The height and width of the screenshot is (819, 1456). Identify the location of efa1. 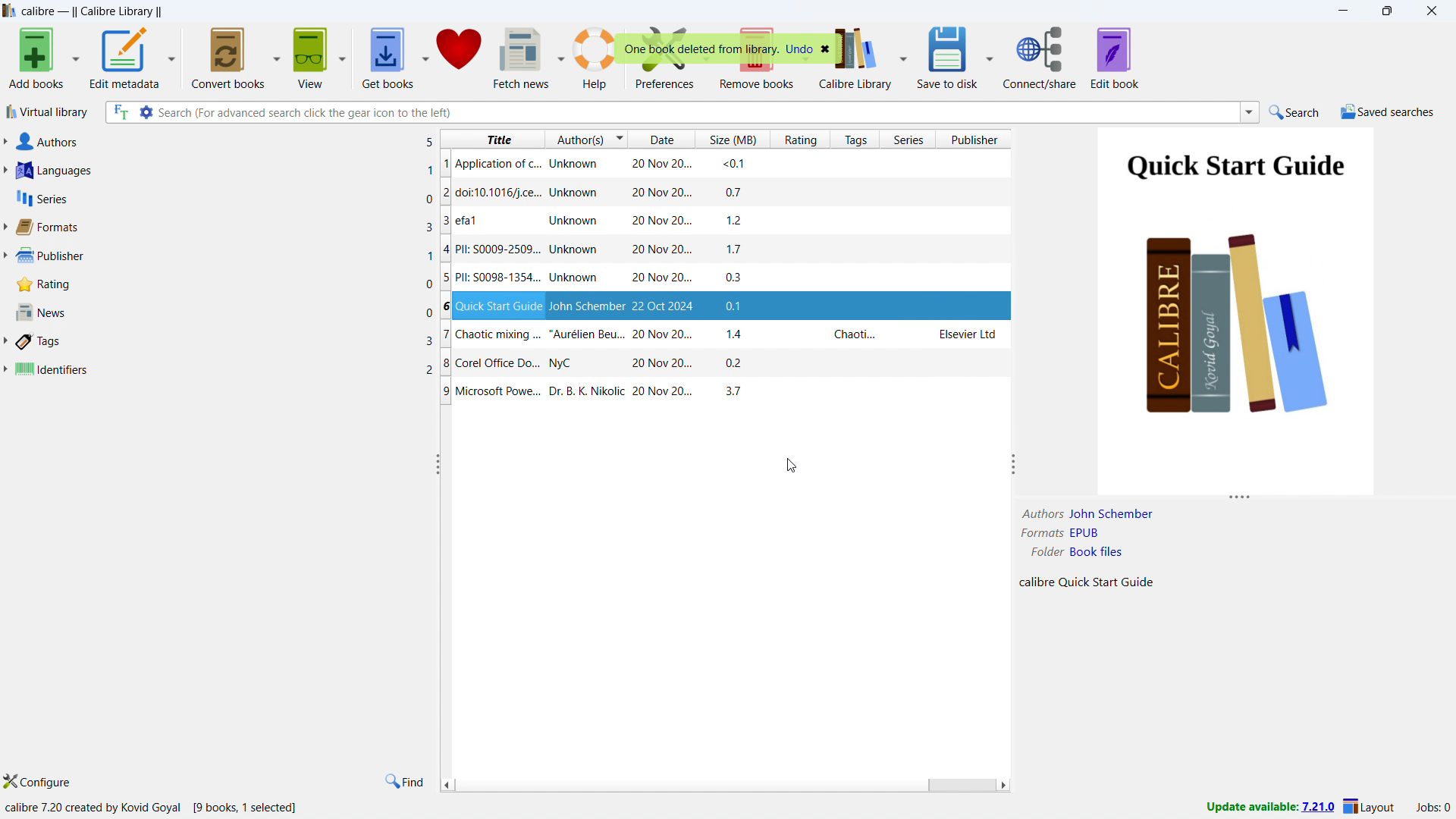
(728, 222).